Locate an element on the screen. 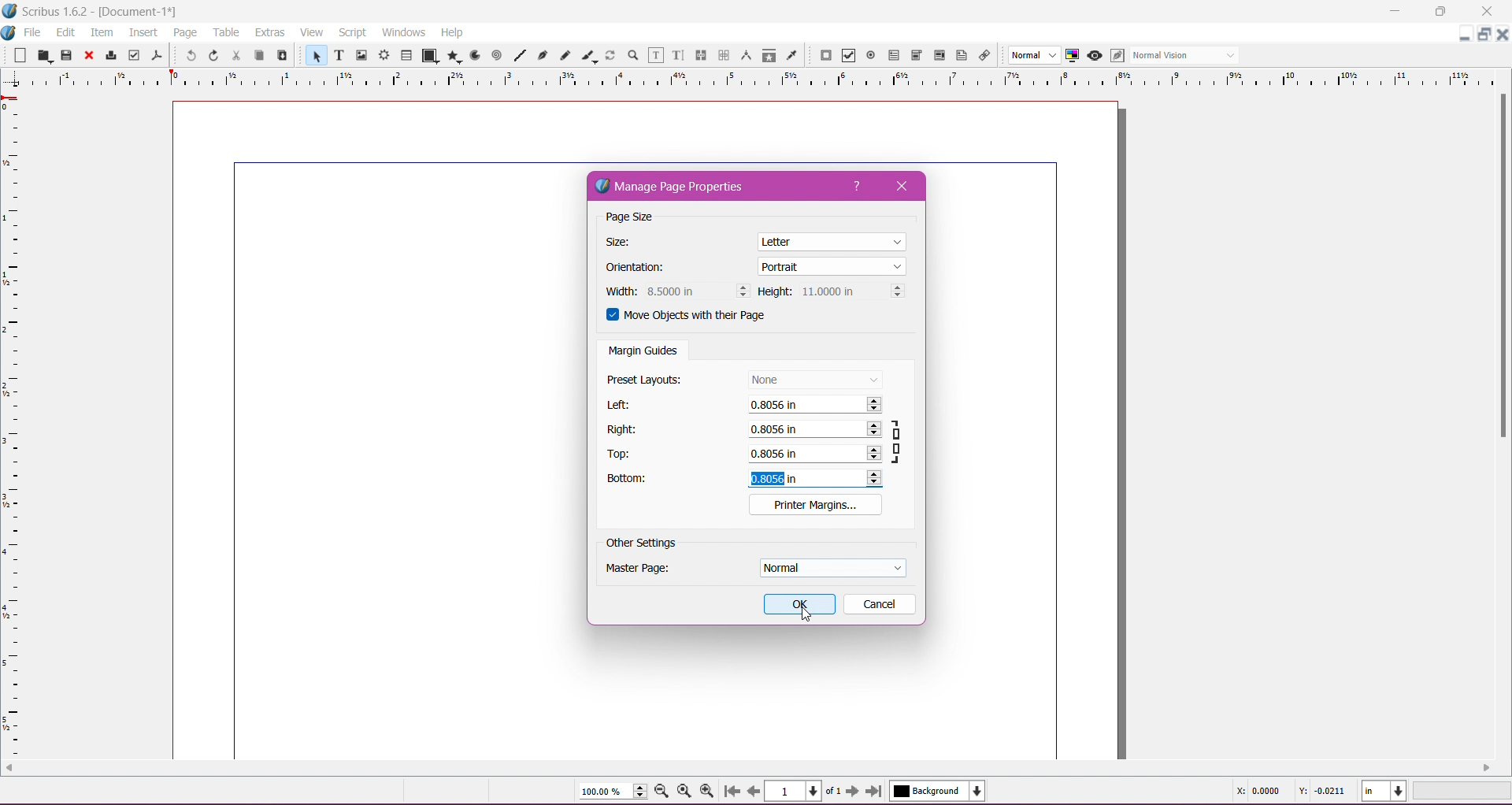 This screenshot has width=1512, height=805. Arc is located at coordinates (474, 55).